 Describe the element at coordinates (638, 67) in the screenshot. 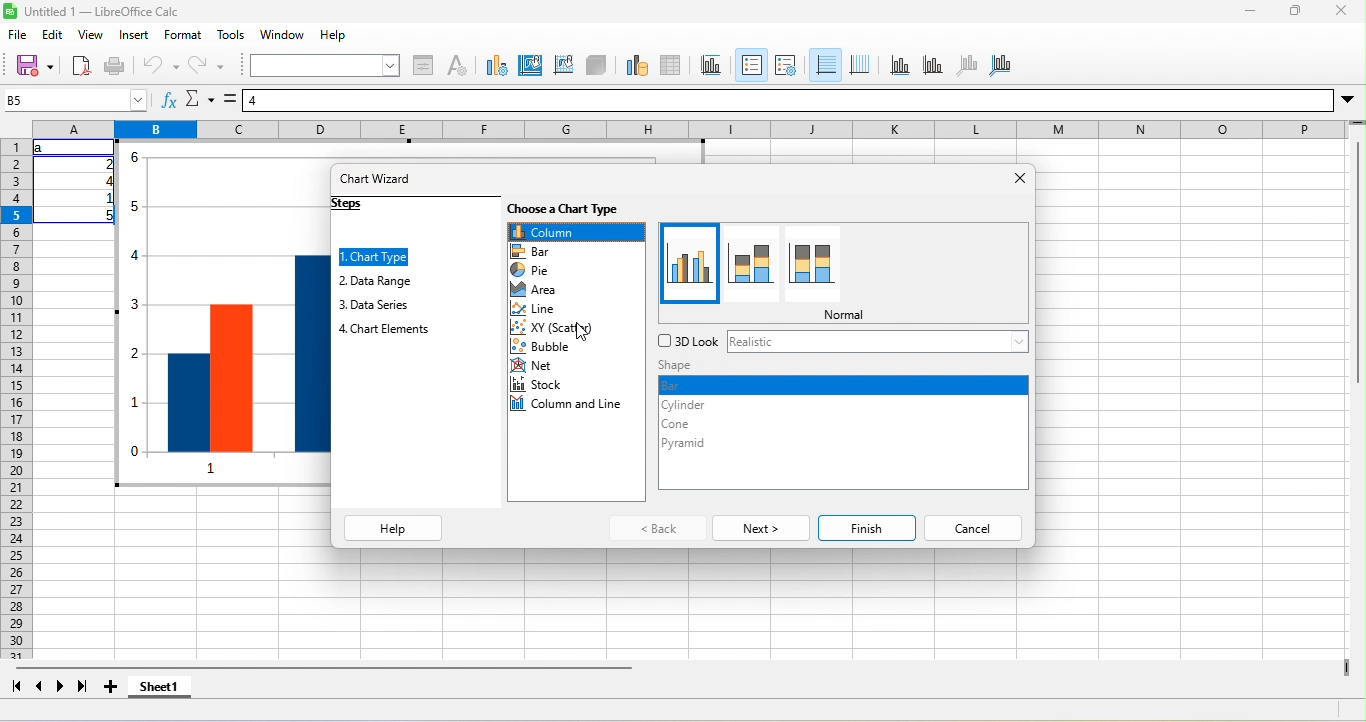

I see `data range` at that location.